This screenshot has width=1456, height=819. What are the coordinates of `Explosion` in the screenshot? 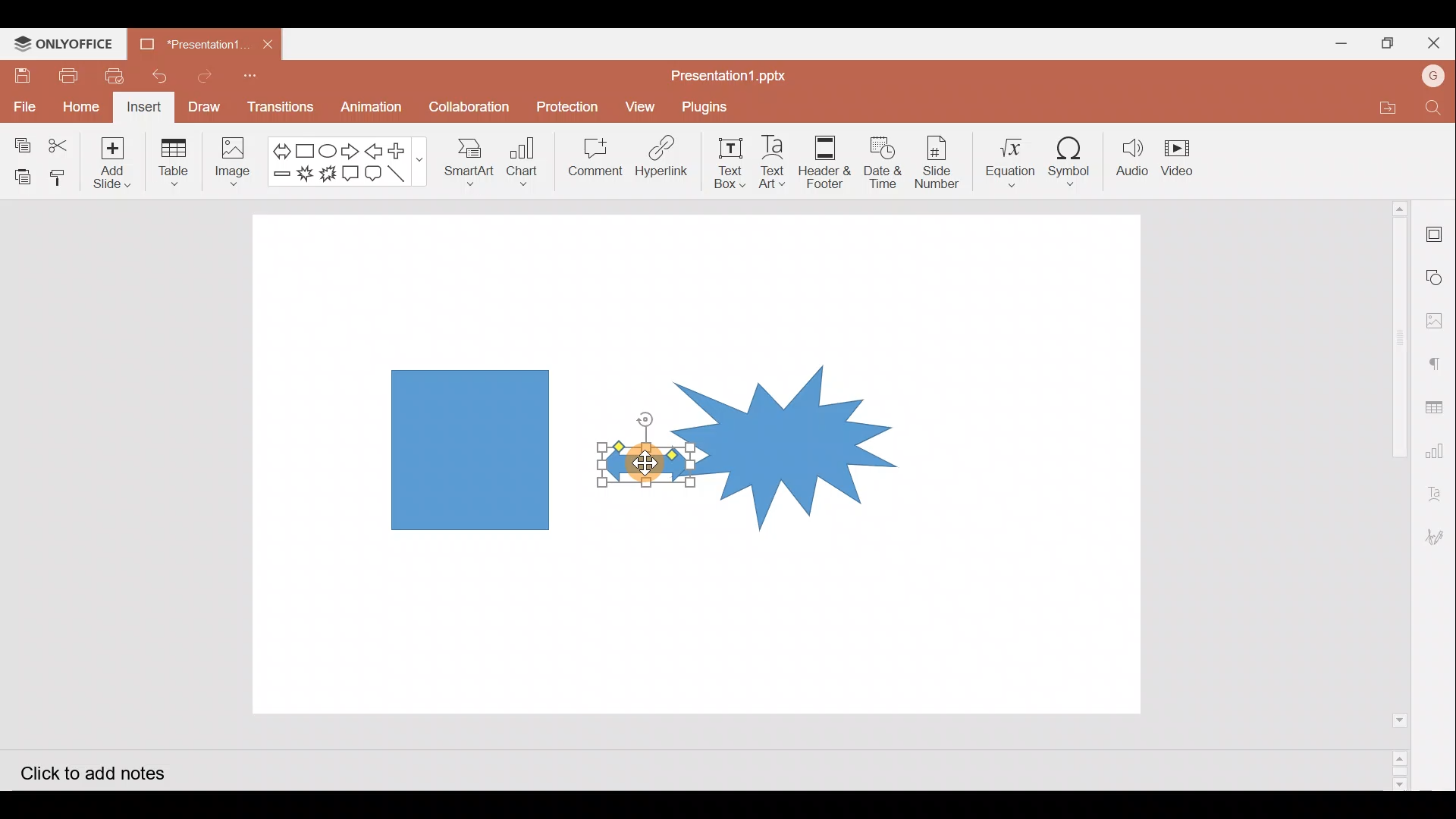 It's located at (786, 429).